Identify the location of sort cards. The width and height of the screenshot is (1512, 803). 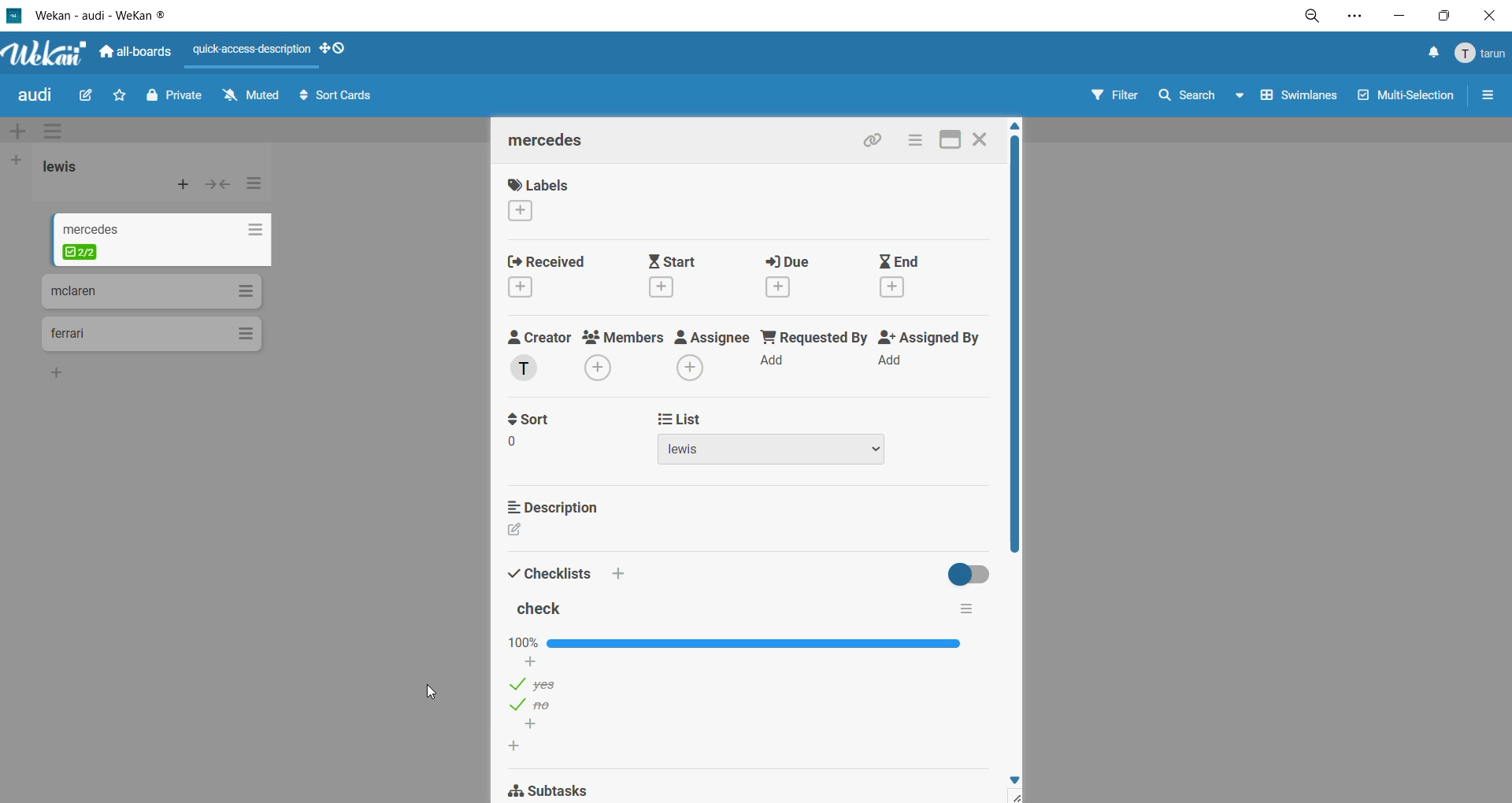
(336, 97).